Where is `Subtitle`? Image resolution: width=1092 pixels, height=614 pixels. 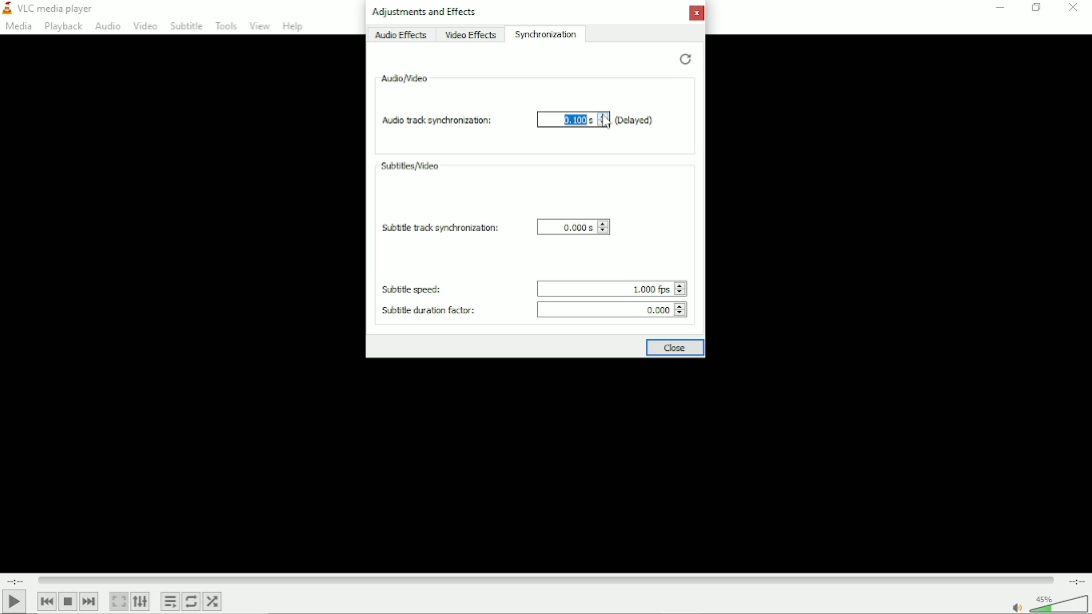 Subtitle is located at coordinates (186, 25).